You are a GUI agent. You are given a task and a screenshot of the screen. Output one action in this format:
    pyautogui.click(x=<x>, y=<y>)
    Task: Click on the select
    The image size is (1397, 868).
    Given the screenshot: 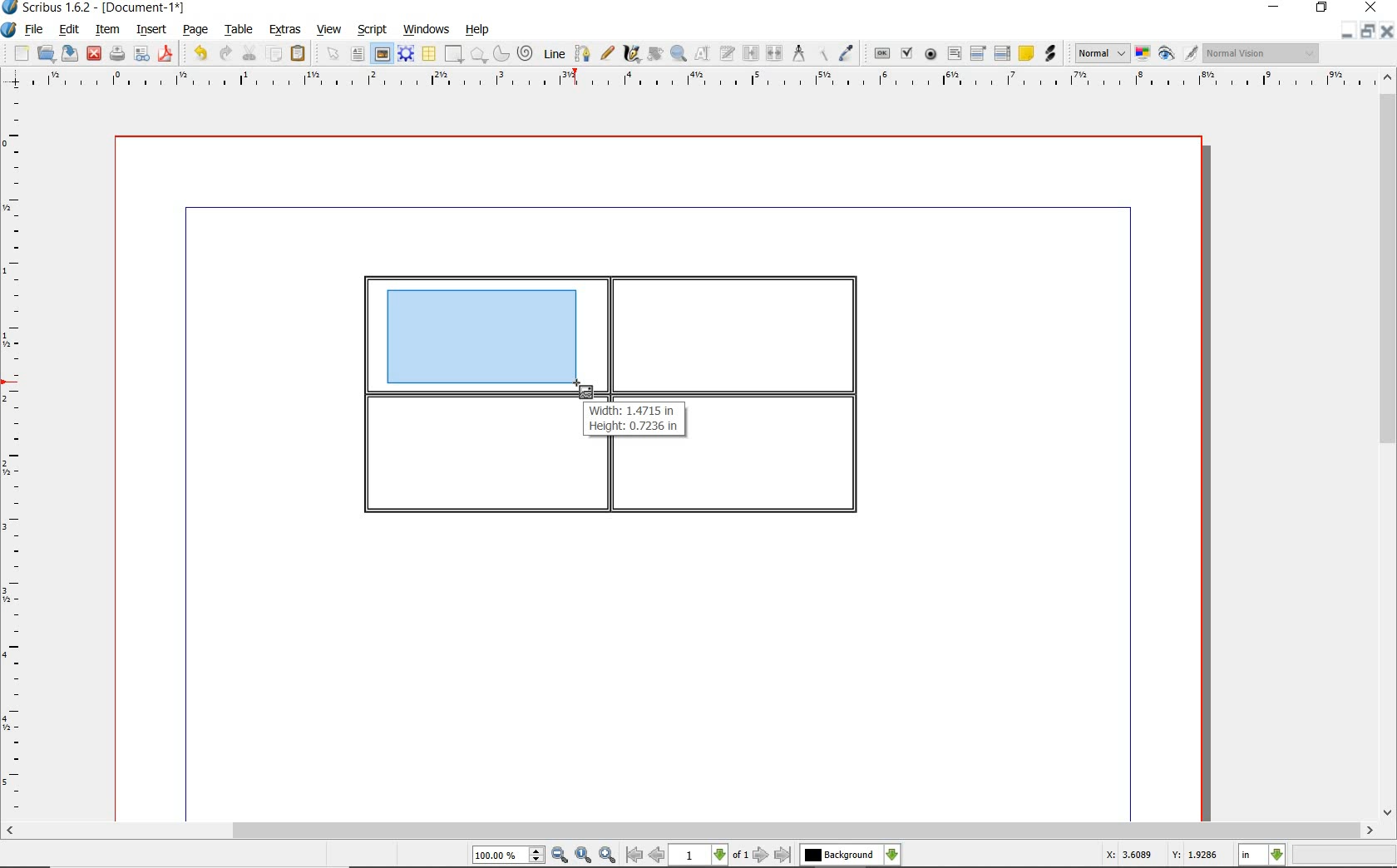 What is the action you would take?
    pyautogui.click(x=336, y=57)
    